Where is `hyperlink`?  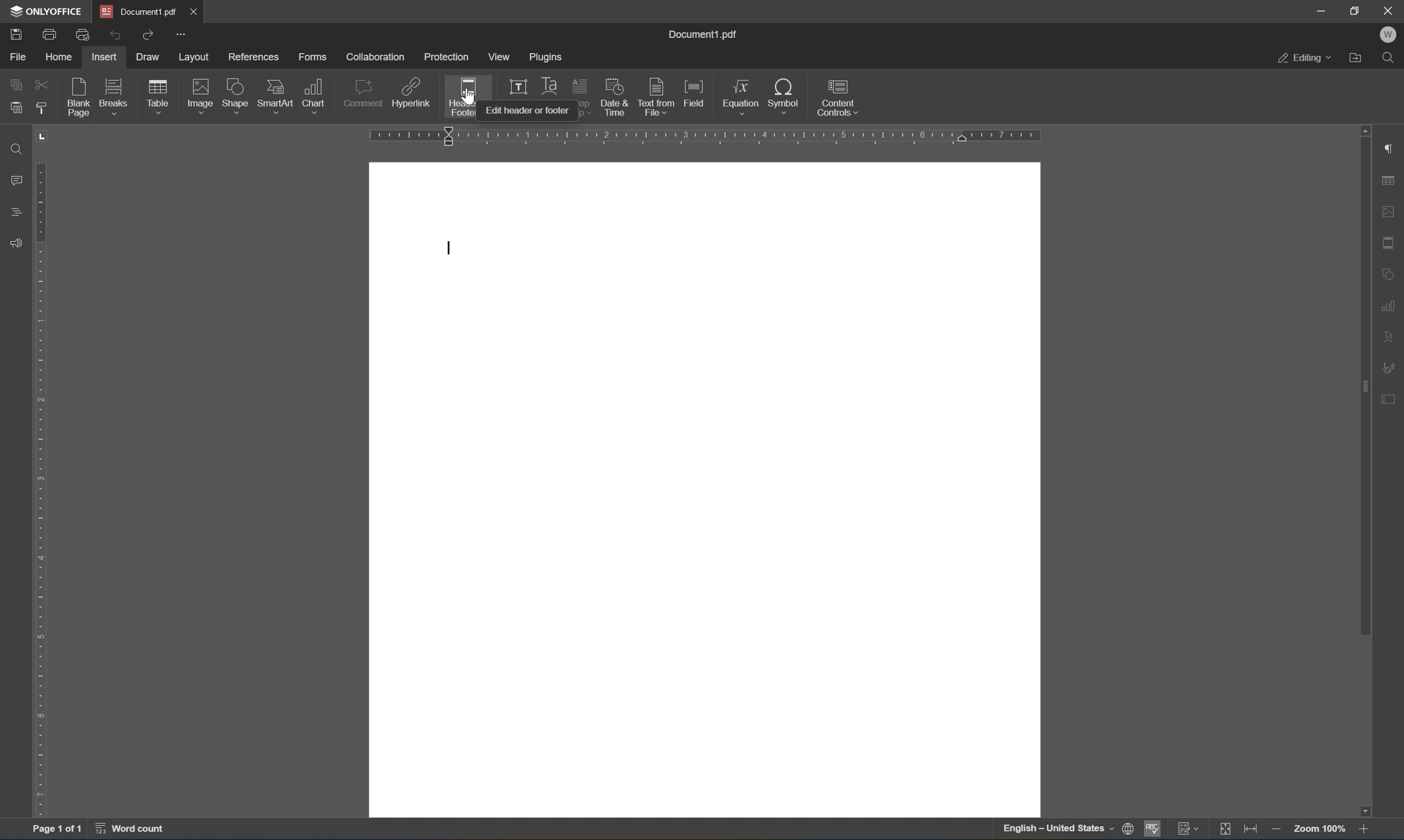
hyperlink is located at coordinates (411, 92).